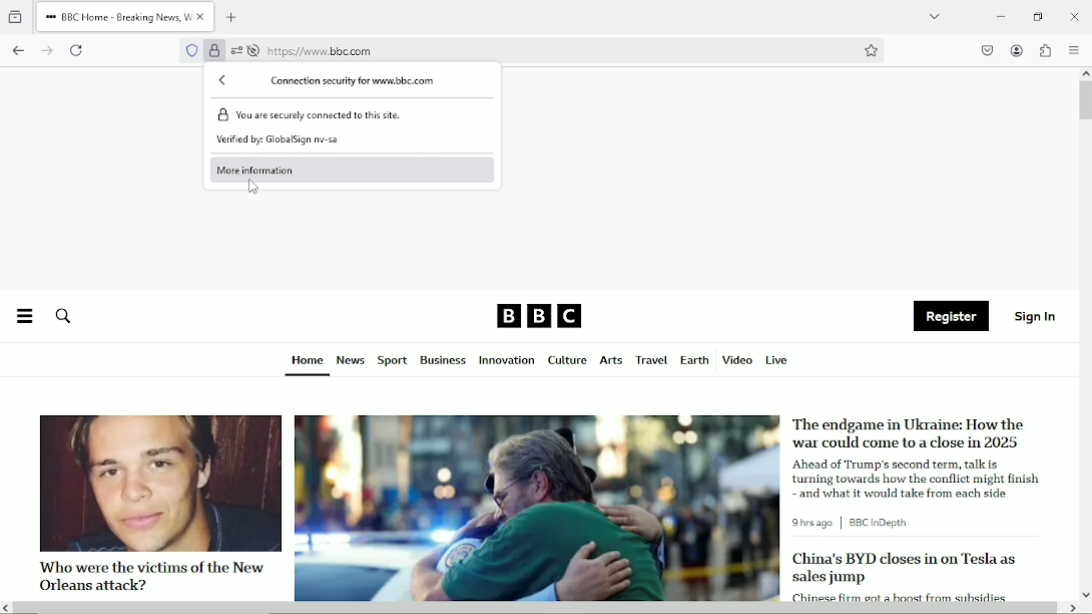  Describe the element at coordinates (202, 16) in the screenshot. I see `close` at that location.